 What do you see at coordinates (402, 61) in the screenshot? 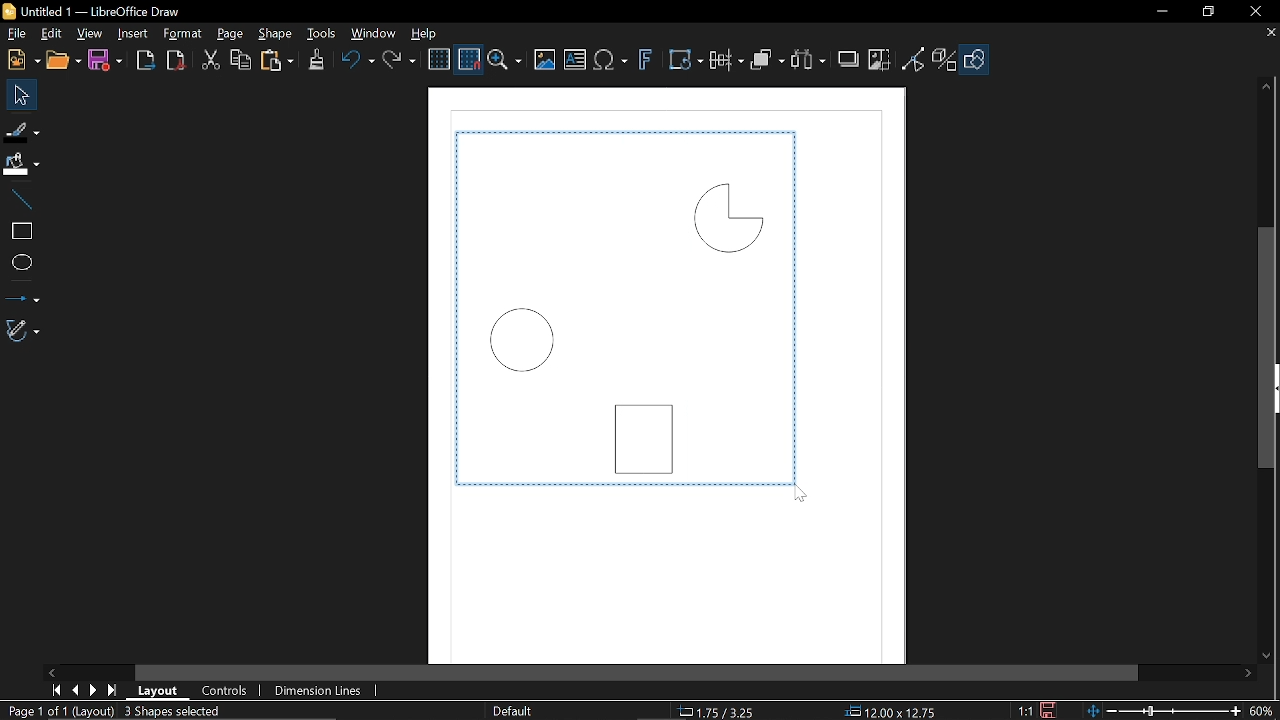
I see `Redo` at bounding box center [402, 61].